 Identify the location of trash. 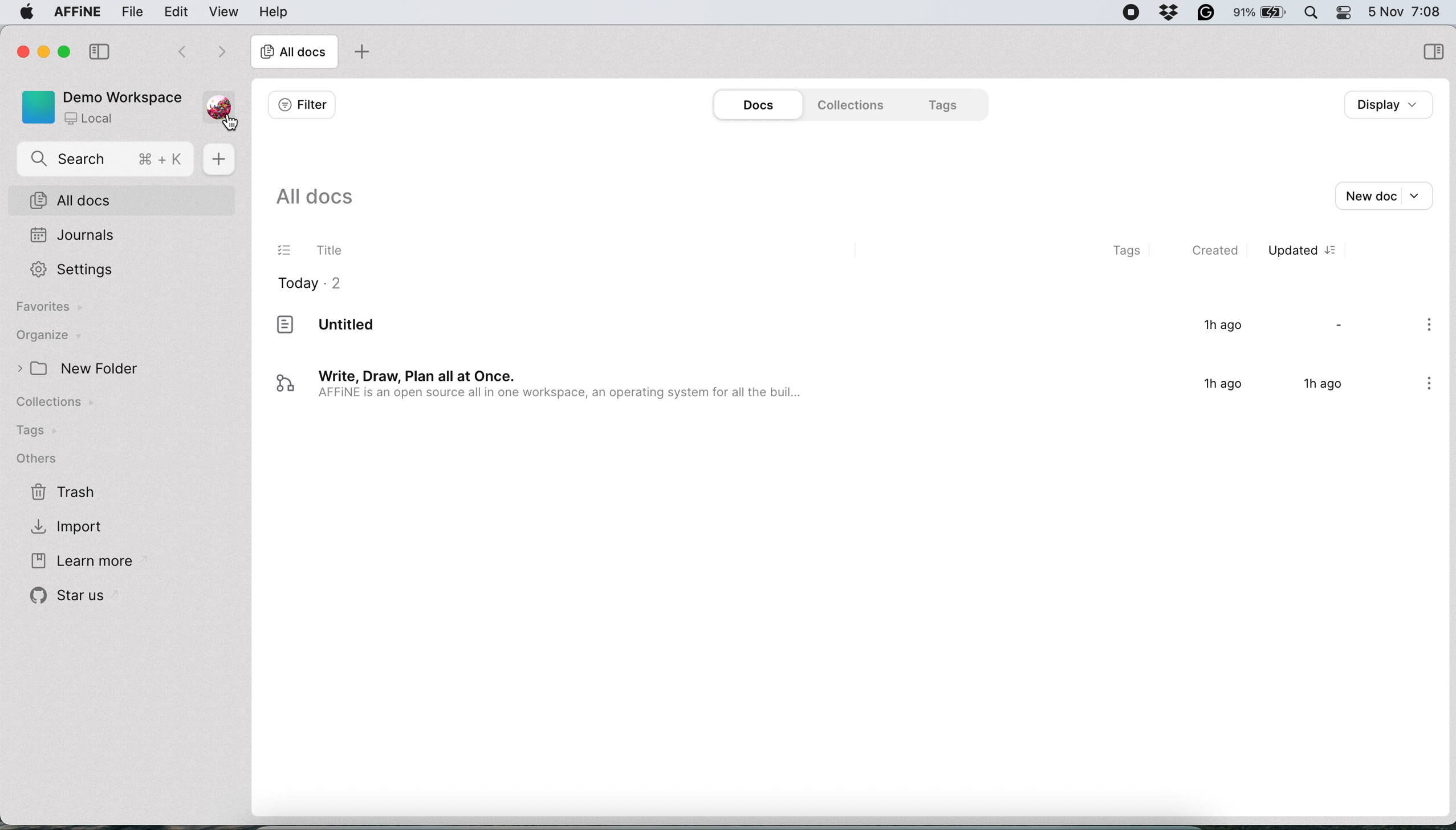
(66, 494).